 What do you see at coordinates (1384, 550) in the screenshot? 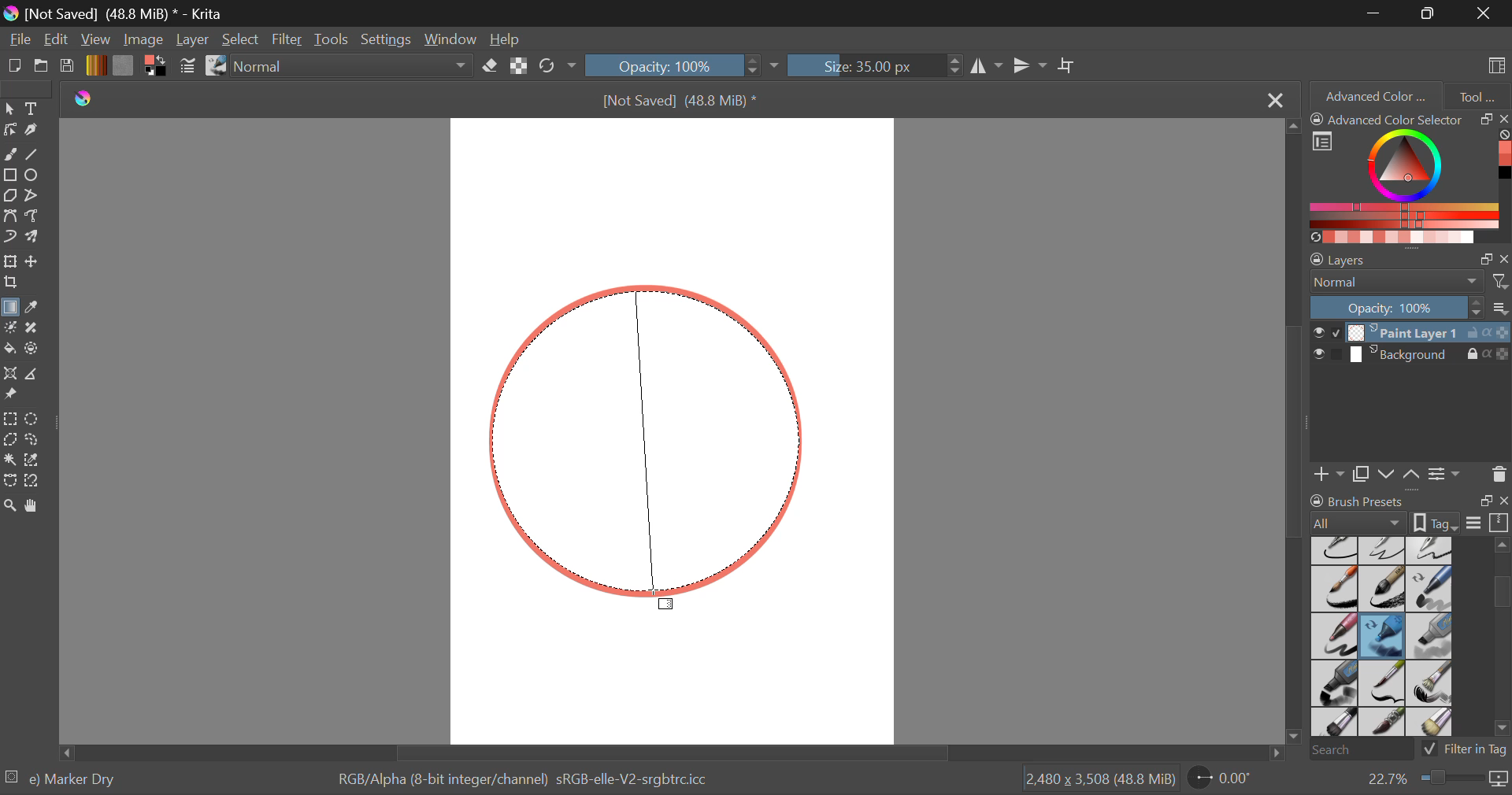
I see `Ink-3 Gpen` at bounding box center [1384, 550].